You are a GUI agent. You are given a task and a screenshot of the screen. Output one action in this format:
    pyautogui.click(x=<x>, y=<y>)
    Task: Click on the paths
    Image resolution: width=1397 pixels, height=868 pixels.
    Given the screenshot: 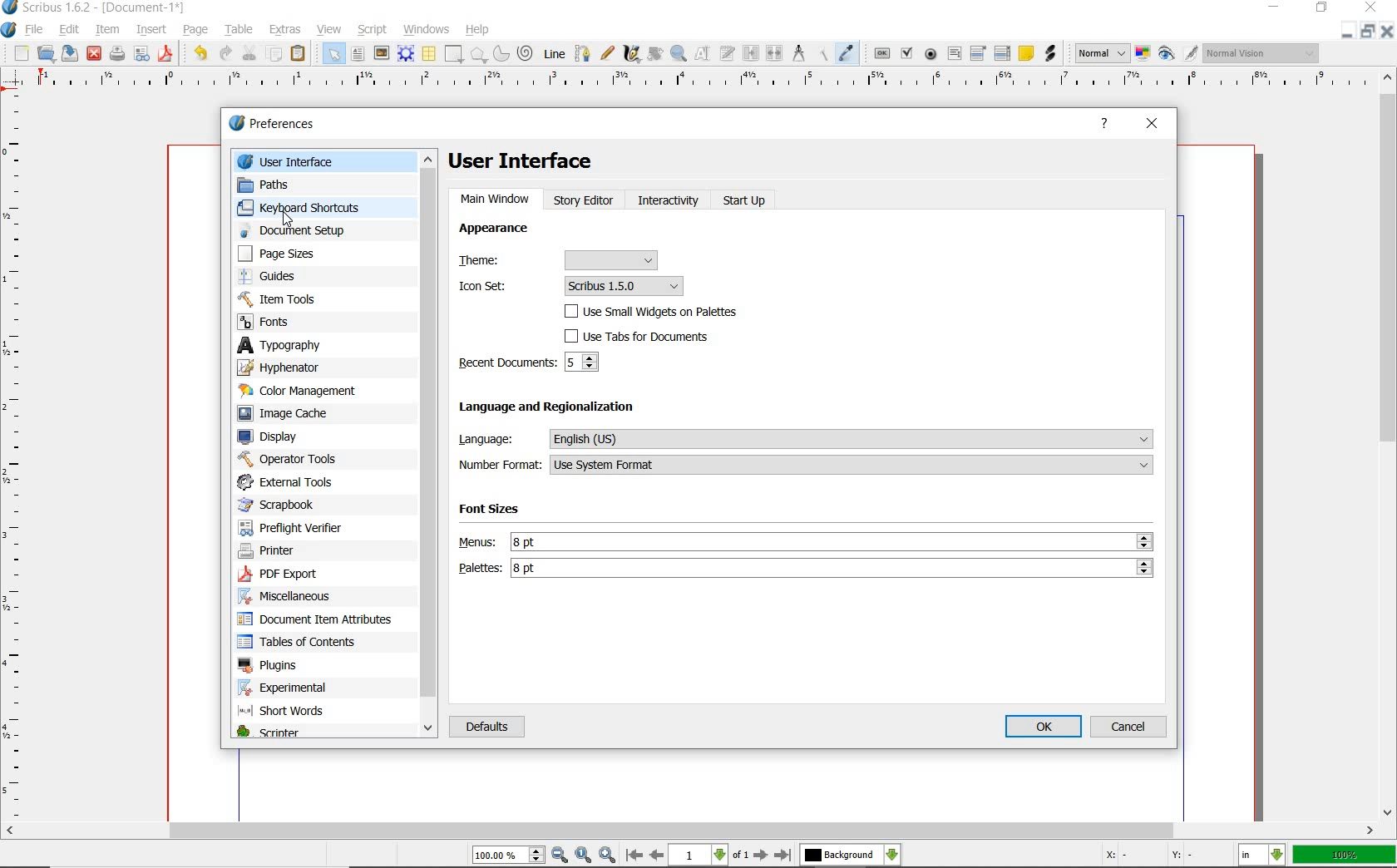 What is the action you would take?
    pyautogui.click(x=283, y=184)
    